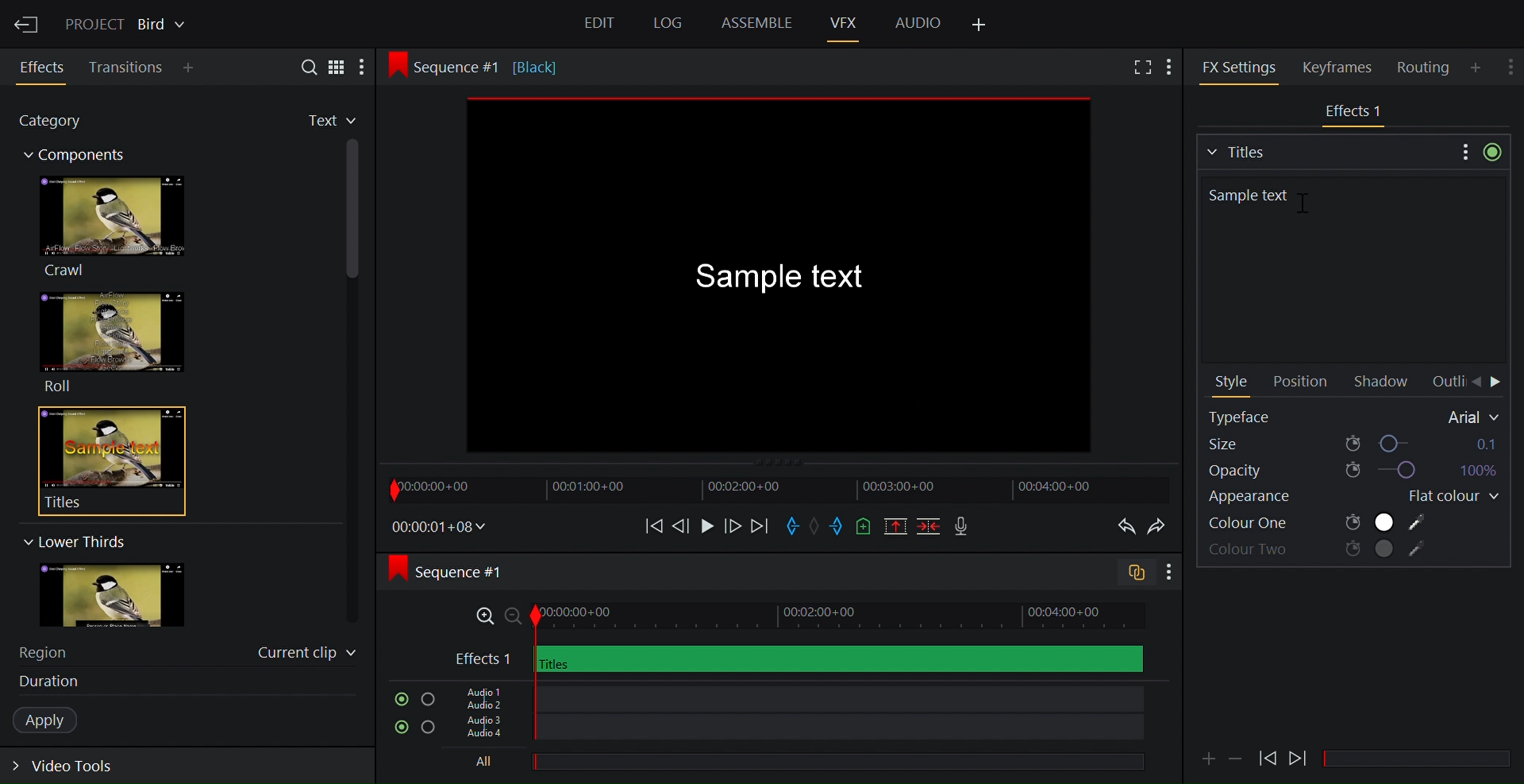  What do you see at coordinates (368, 67) in the screenshot?
I see `More` at bounding box center [368, 67].